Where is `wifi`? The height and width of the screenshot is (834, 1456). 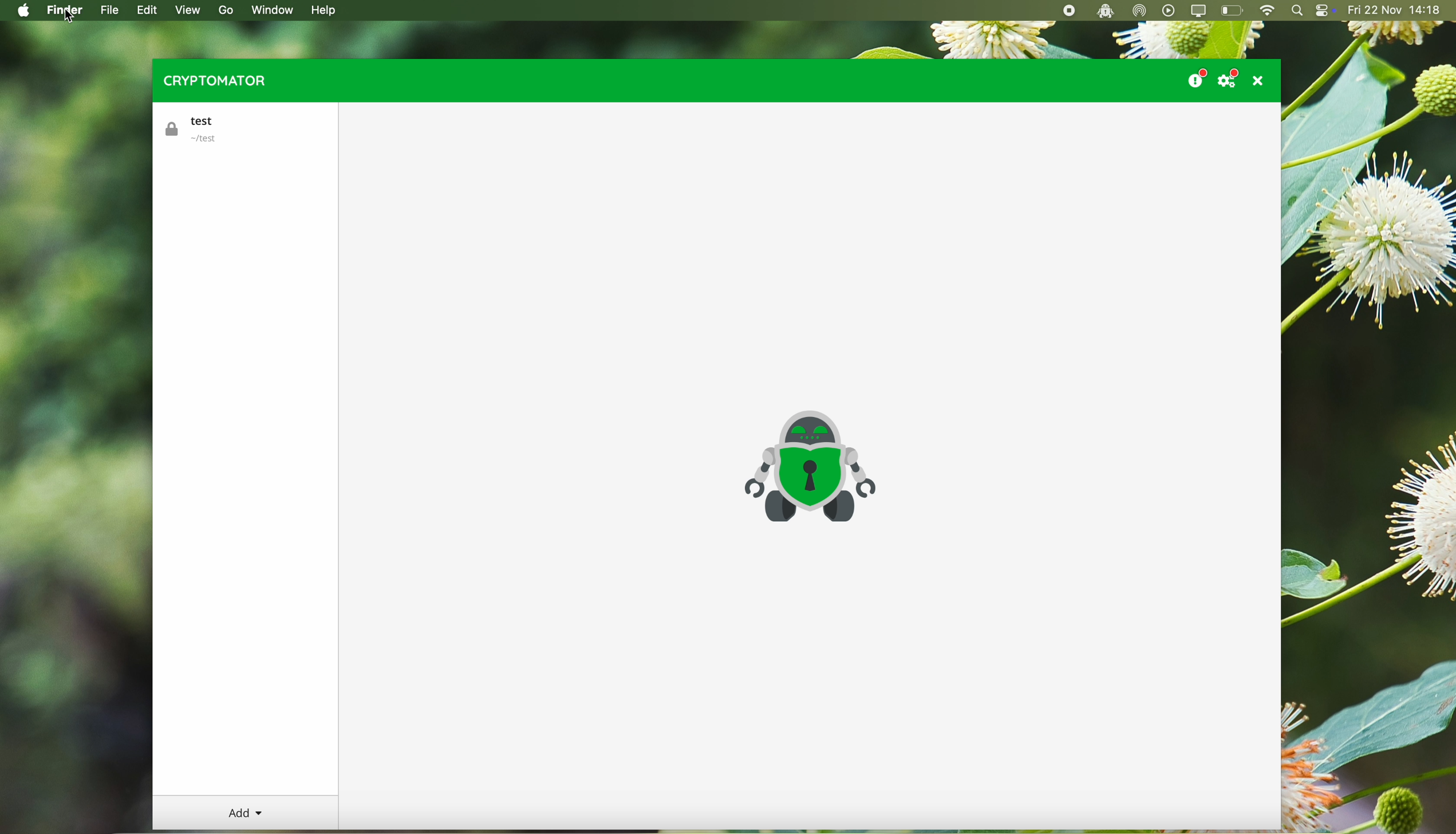 wifi is located at coordinates (1266, 11).